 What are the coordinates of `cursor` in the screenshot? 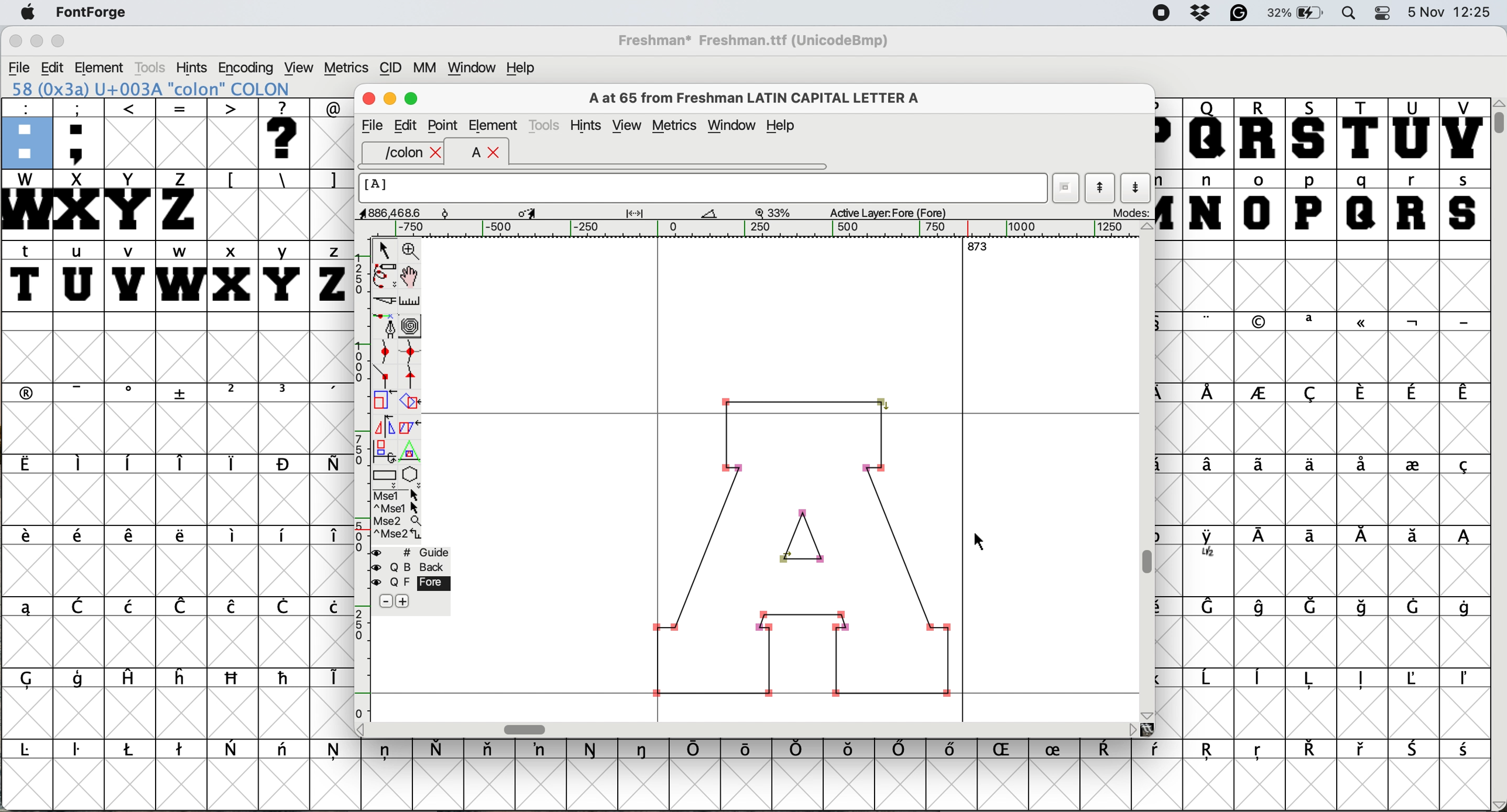 It's located at (983, 540).